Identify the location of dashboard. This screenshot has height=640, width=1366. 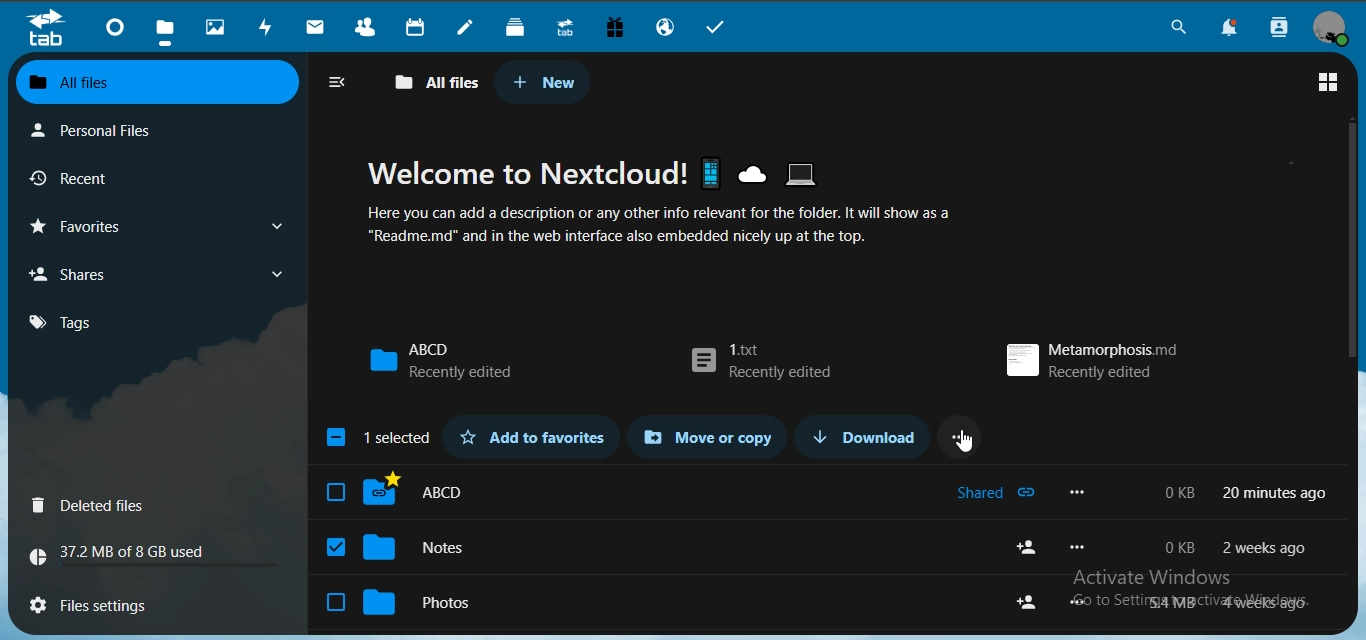
(118, 27).